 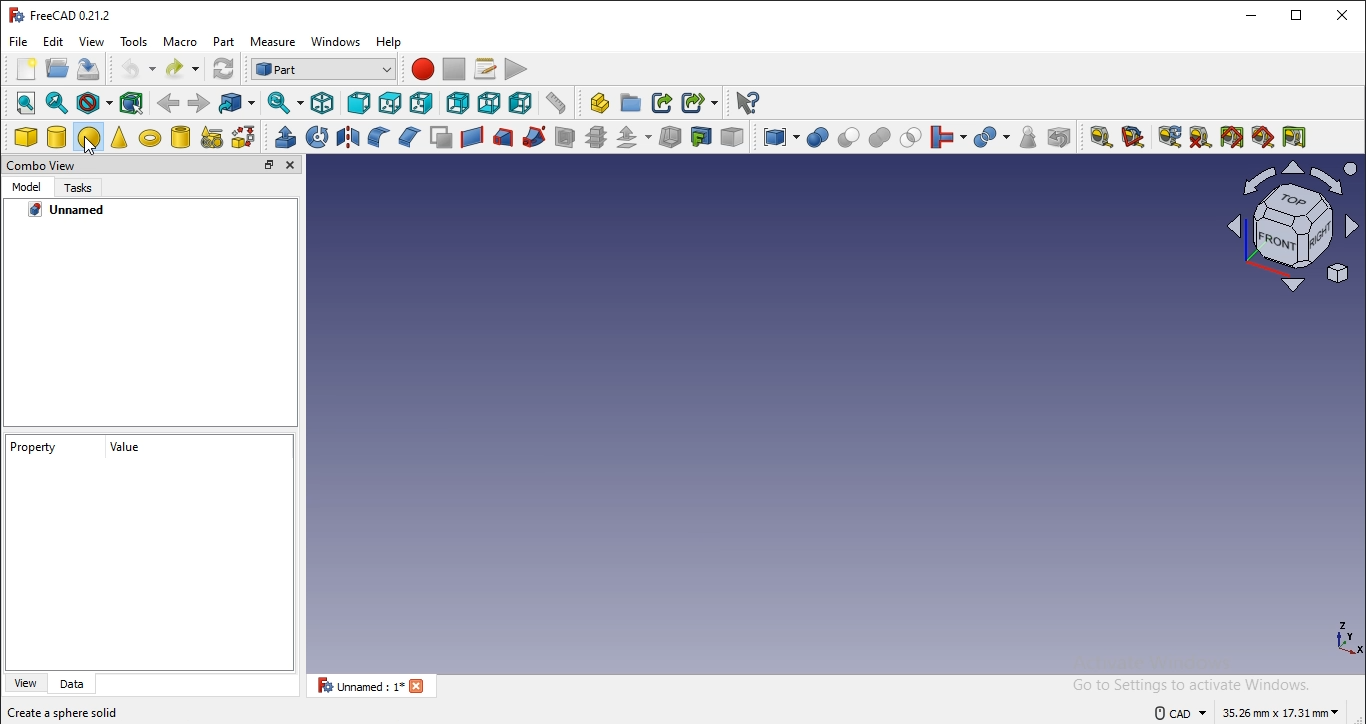 I want to click on clear all, so click(x=1200, y=137).